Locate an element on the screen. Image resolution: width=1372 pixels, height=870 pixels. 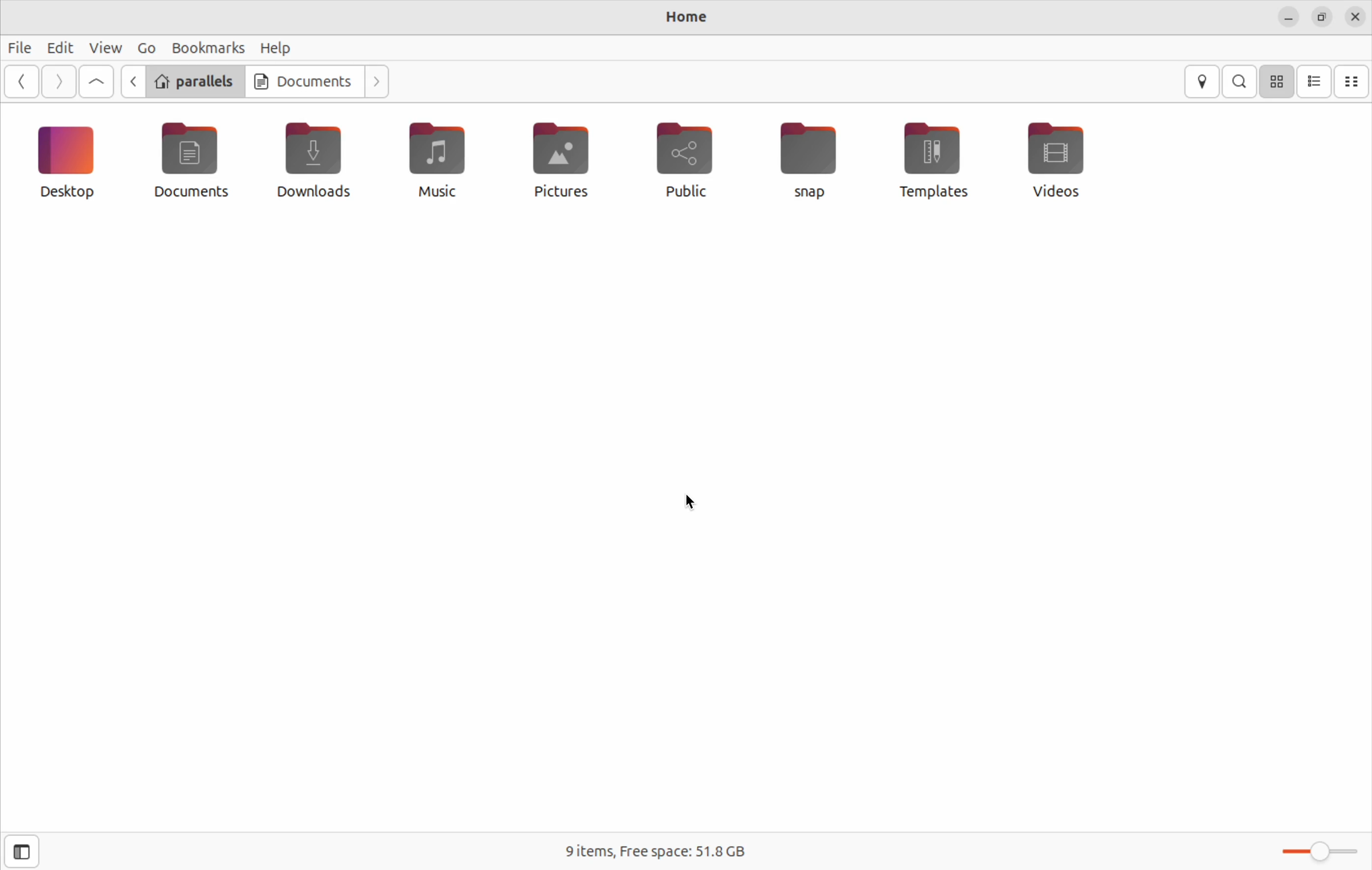
back is located at coordinates (135, 83).